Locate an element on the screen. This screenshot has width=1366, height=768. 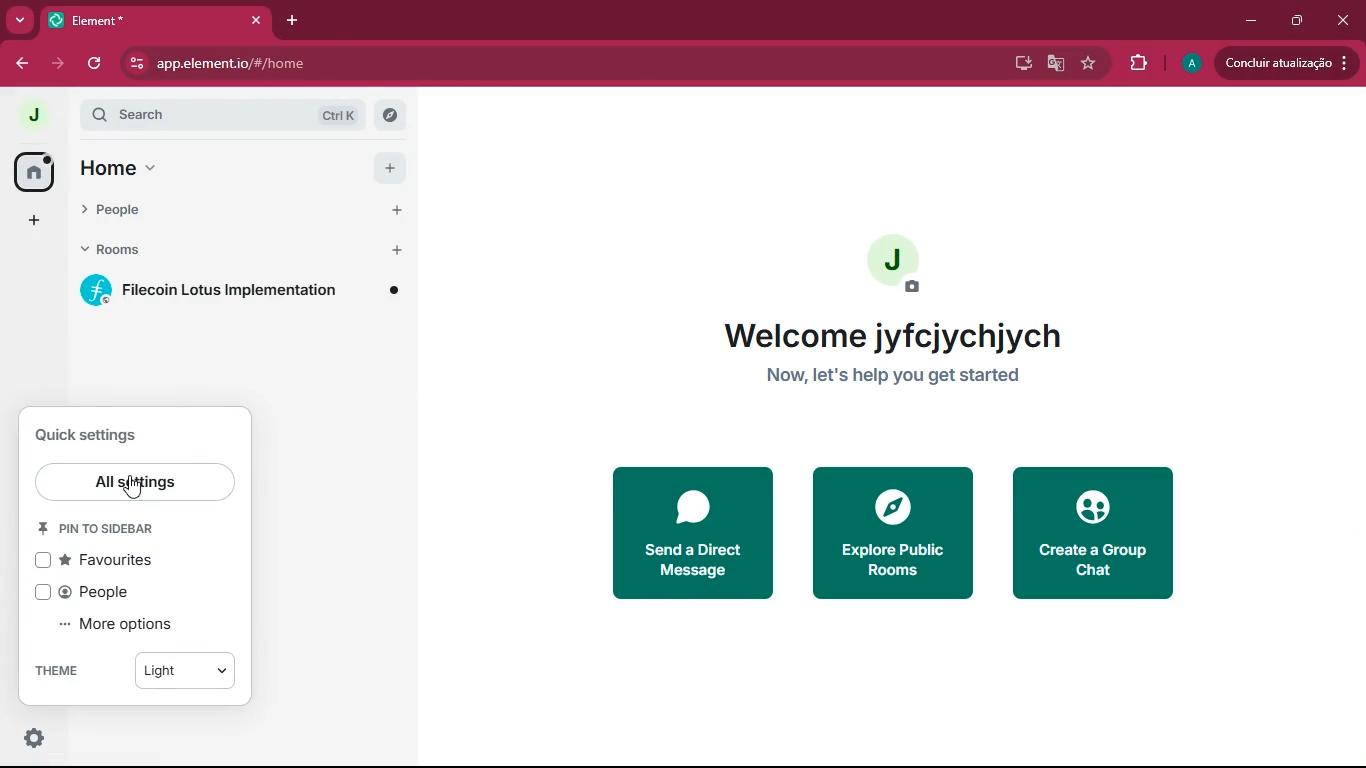
forward is located at coordinates (55, 64).